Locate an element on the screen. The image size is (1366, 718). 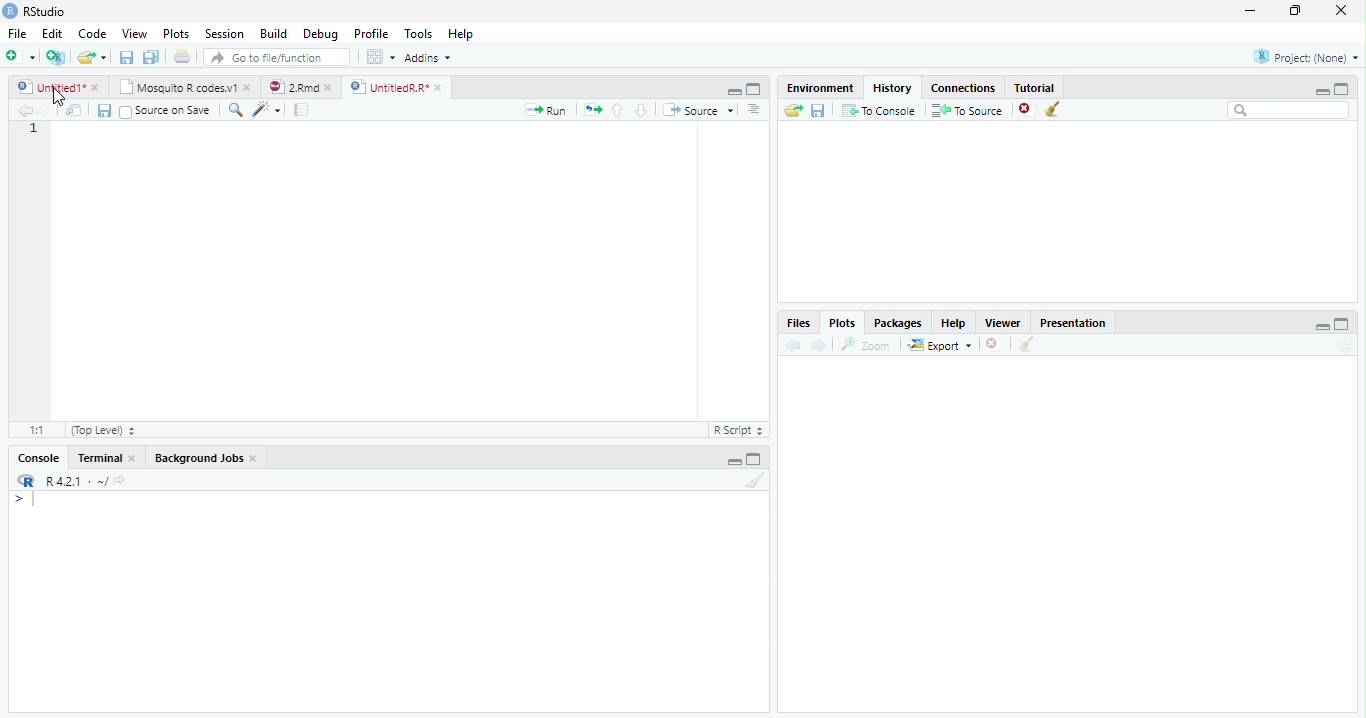
Next is located at coordinates (52, 113).